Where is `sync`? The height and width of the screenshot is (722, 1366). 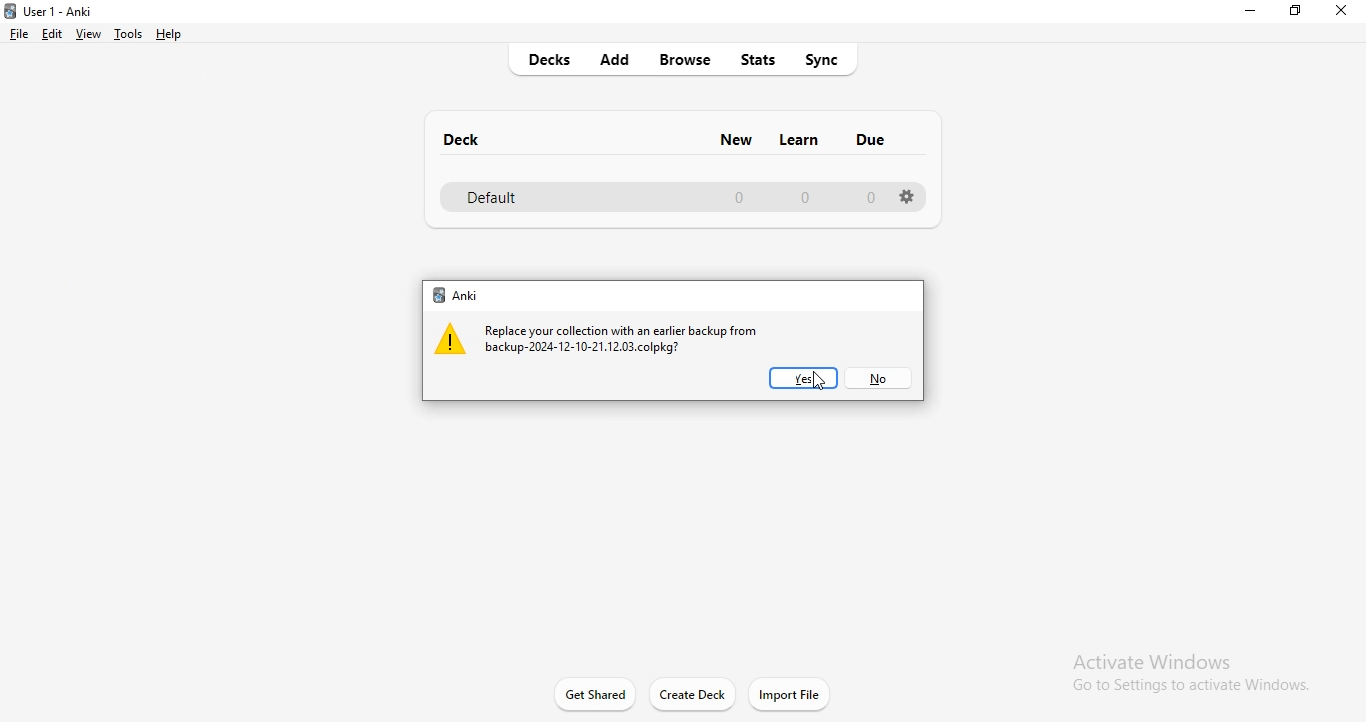
sync is located at coordinates (829, 59).